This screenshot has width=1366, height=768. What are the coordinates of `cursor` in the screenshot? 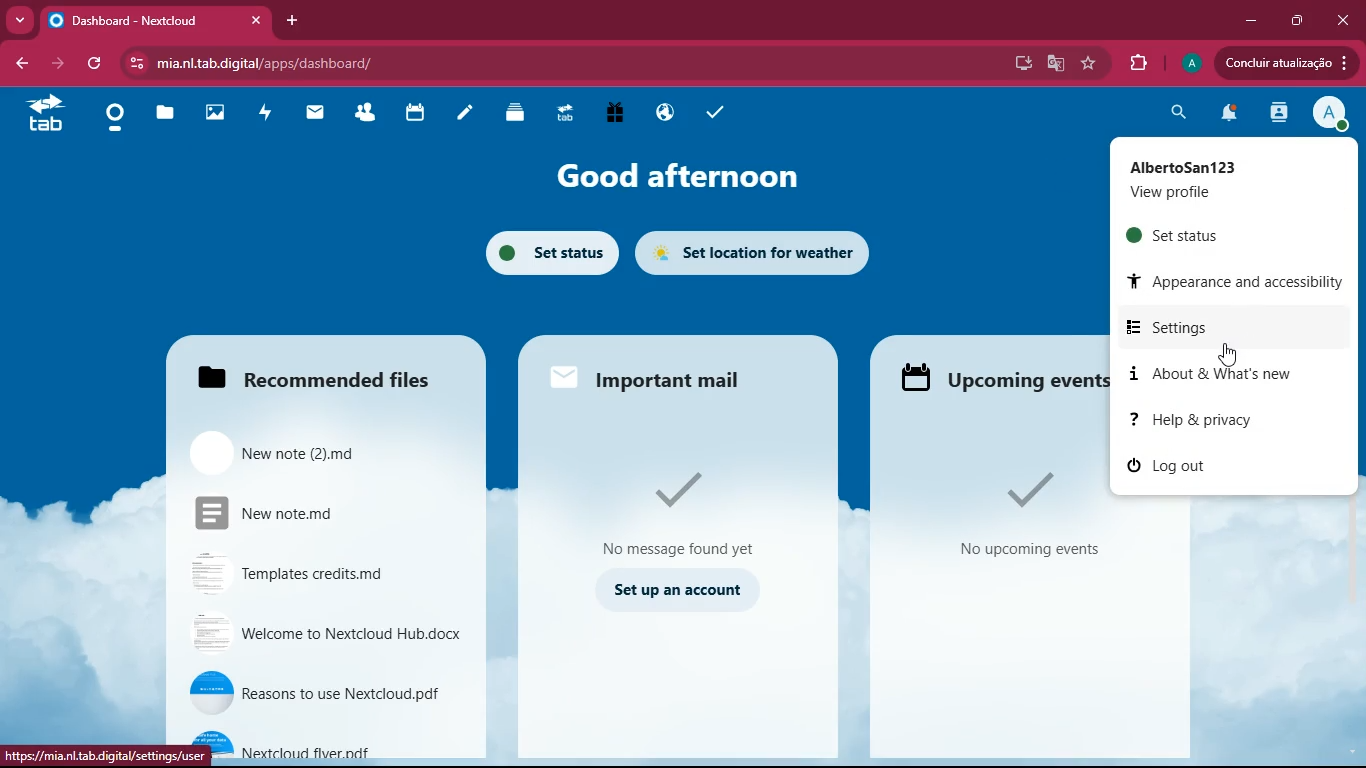 It's located at (1232, 355).